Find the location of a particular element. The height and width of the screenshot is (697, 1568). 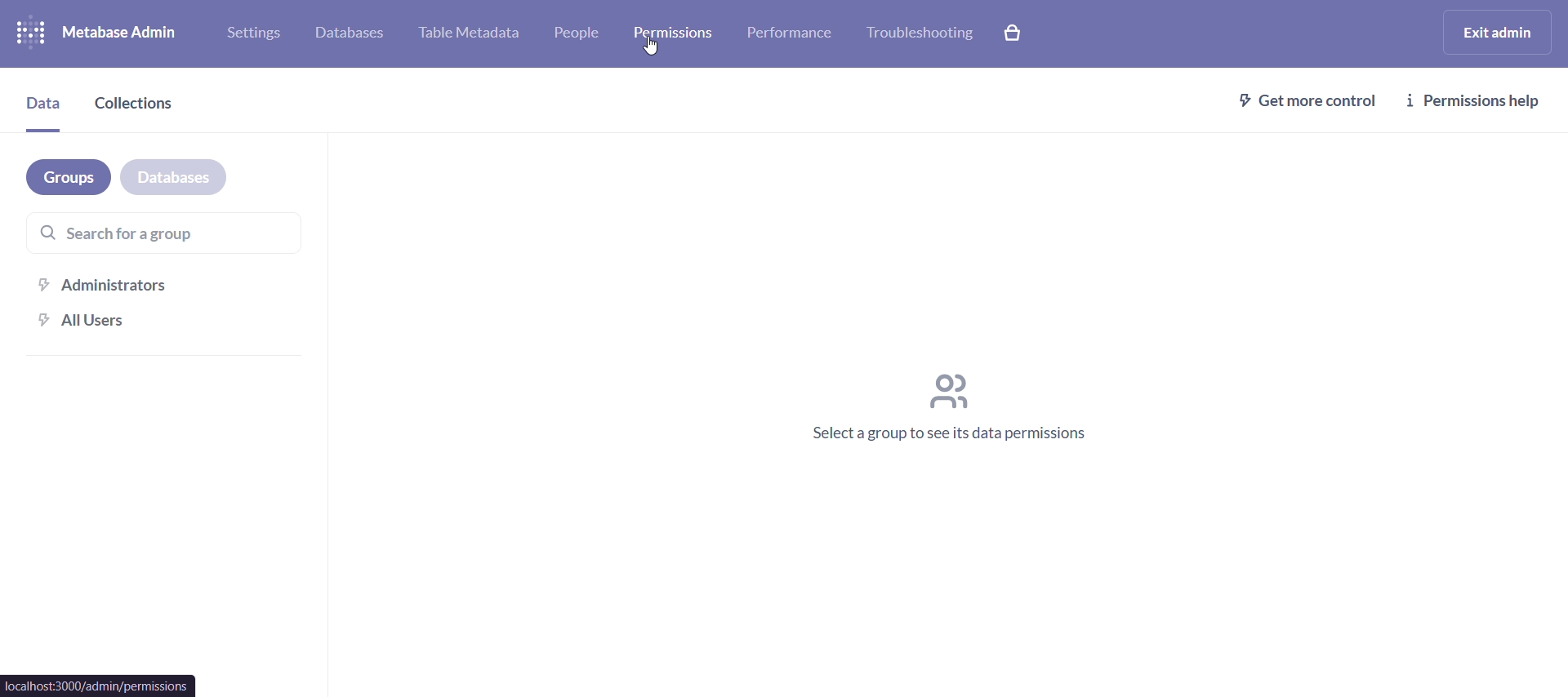

data is located at coordinates (44, 113).